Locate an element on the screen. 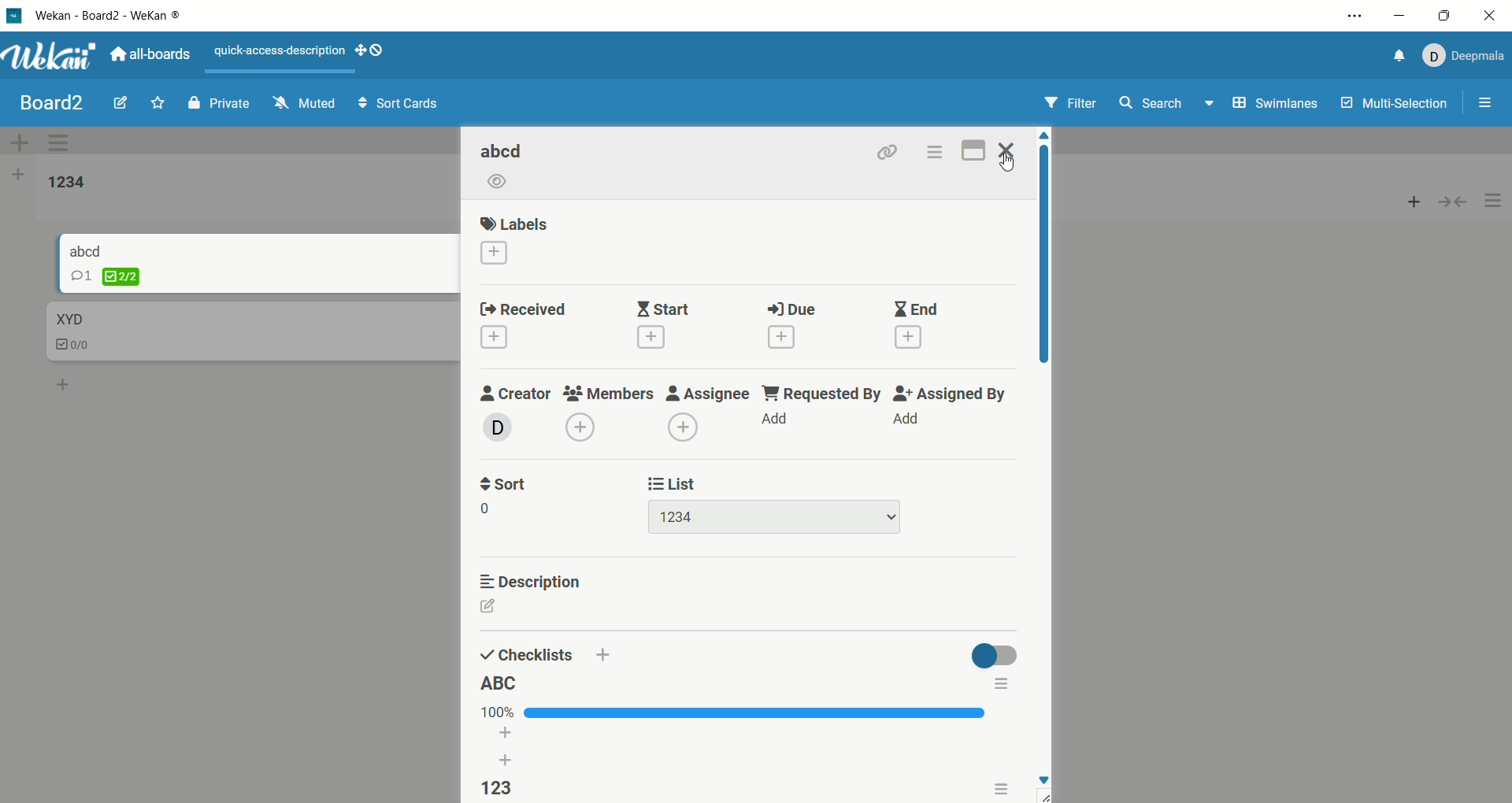 Image resolution: width=1512 pixels, height=803 pixels. checklists is located at coordinates (525, 652).